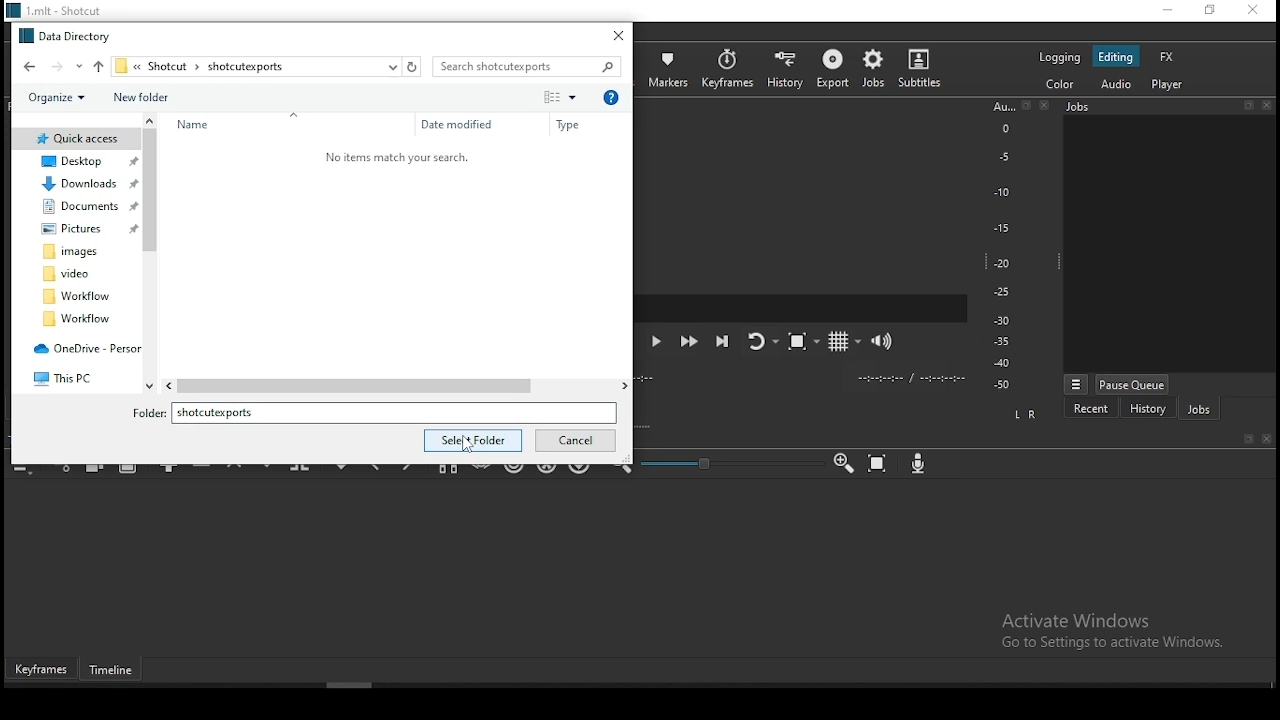 Image resolution: width=1280 pixels, height=720 pixels. I want to click on Jobs, so click(1124, 110).